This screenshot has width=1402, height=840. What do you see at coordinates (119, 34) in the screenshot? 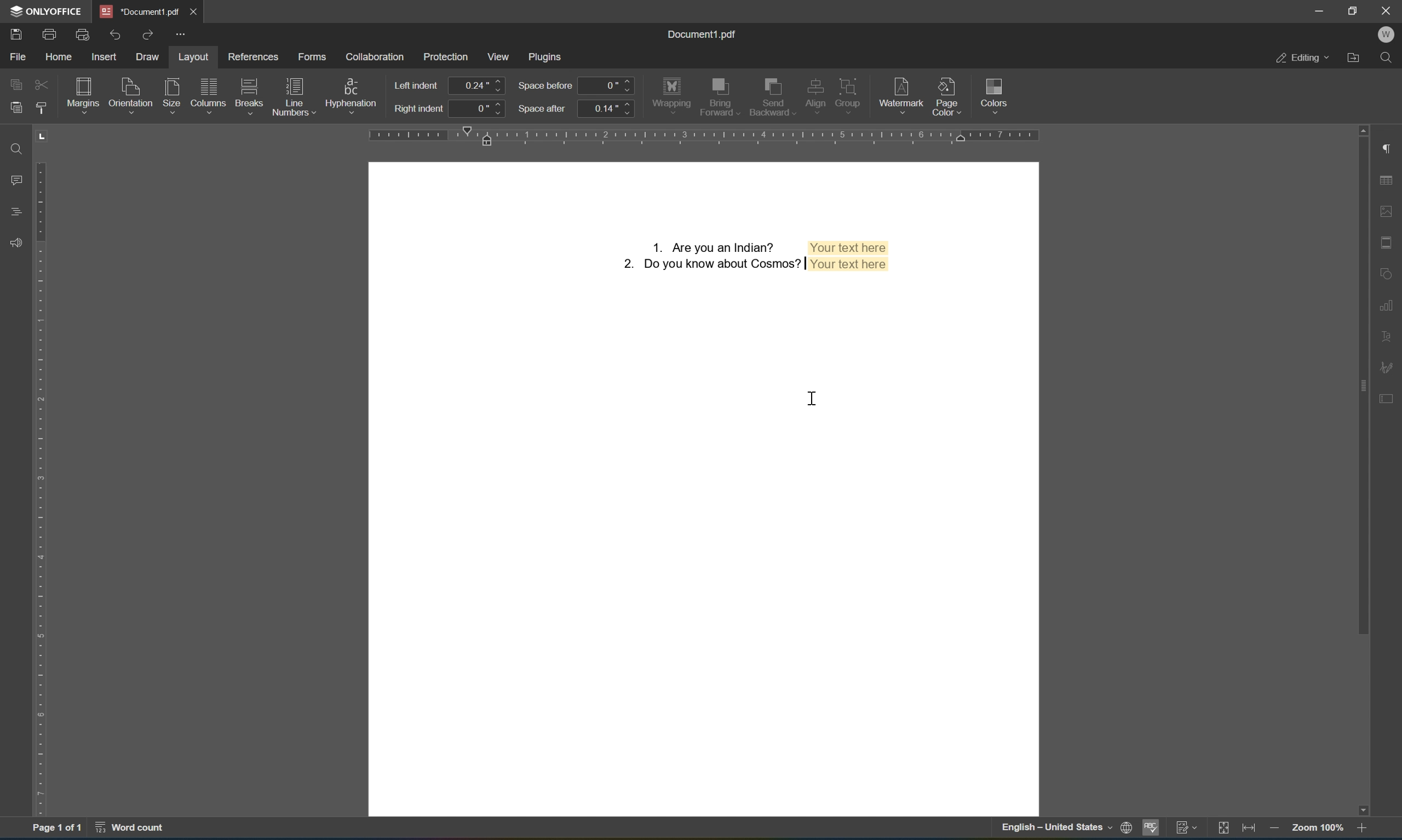
I see `undo` at bounding box center [119, 34].